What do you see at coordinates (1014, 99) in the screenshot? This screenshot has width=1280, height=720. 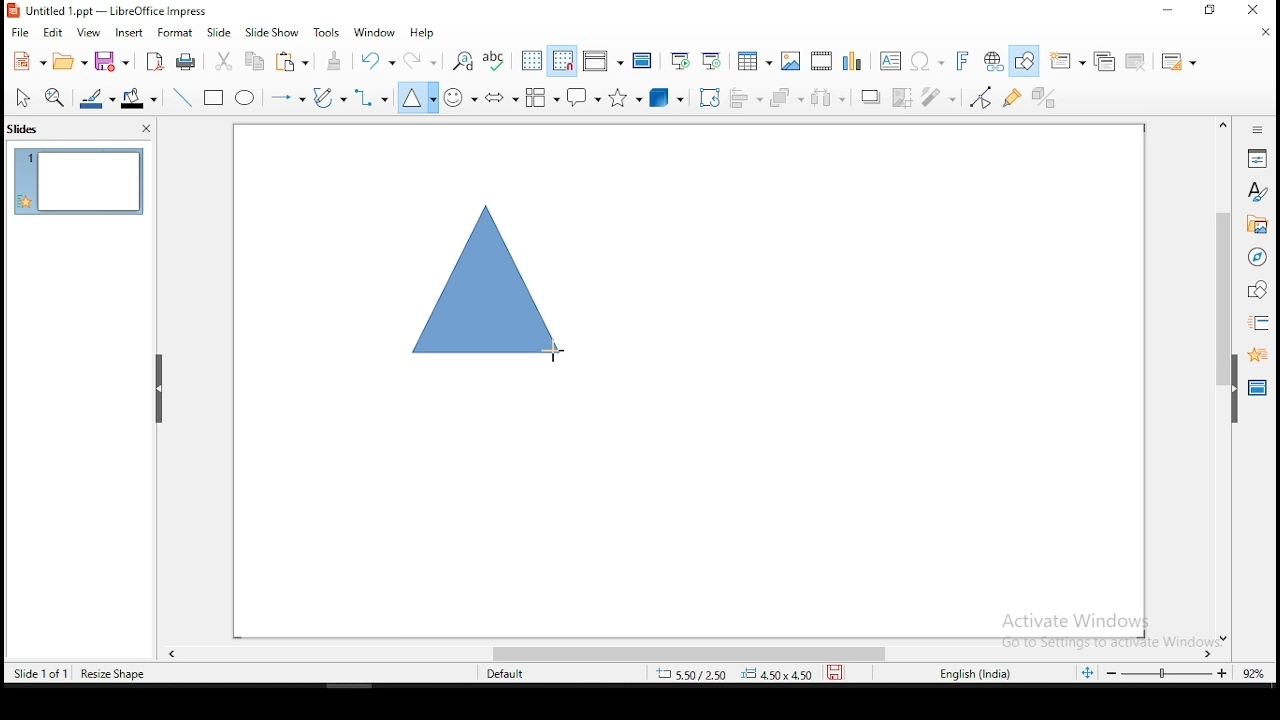 I see `show gluepoint functions` at bounding box center [1014, 99].